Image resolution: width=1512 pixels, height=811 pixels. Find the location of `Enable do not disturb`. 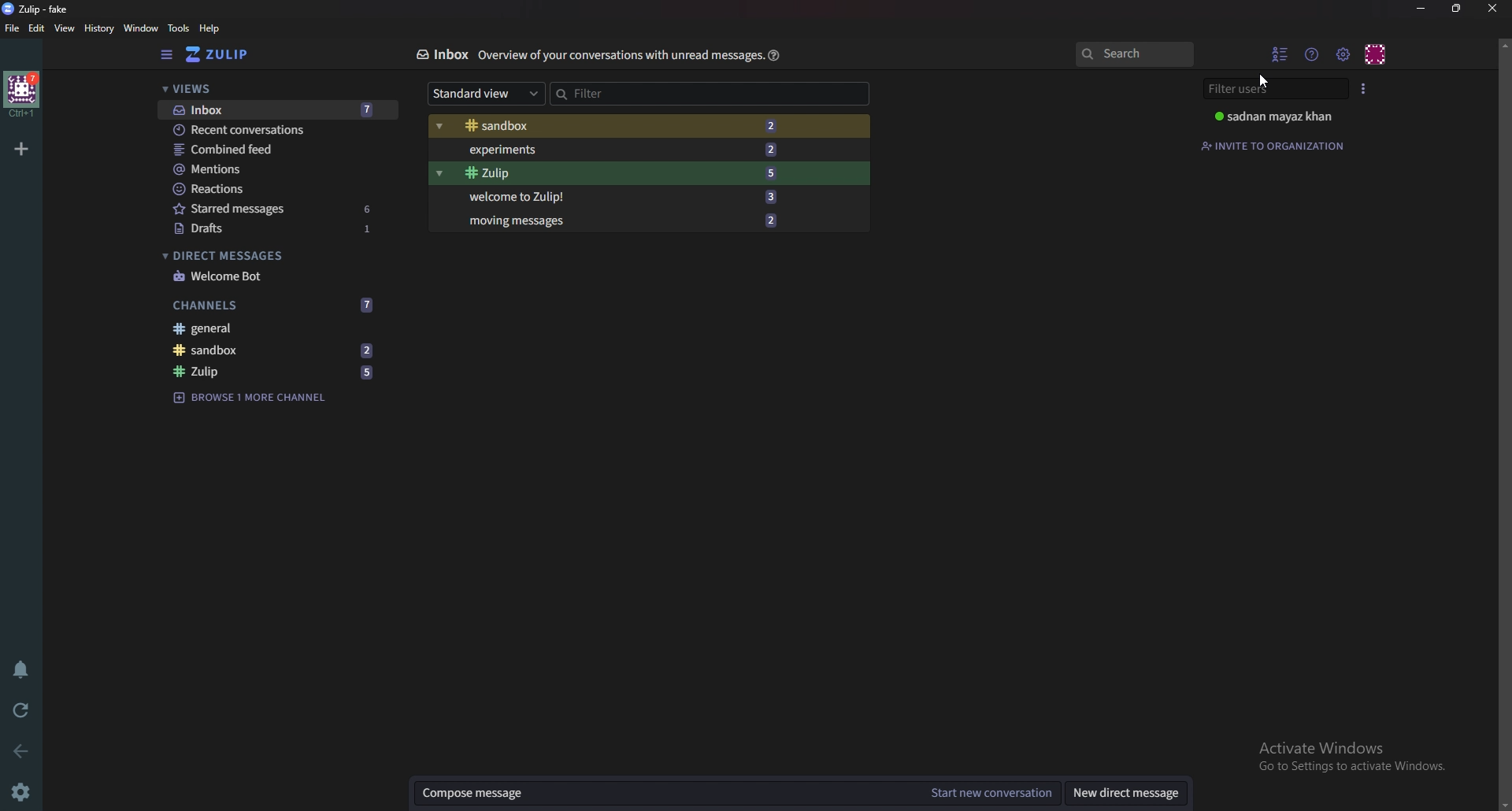

Enable do not disturb is located at coordinates (22, 672).